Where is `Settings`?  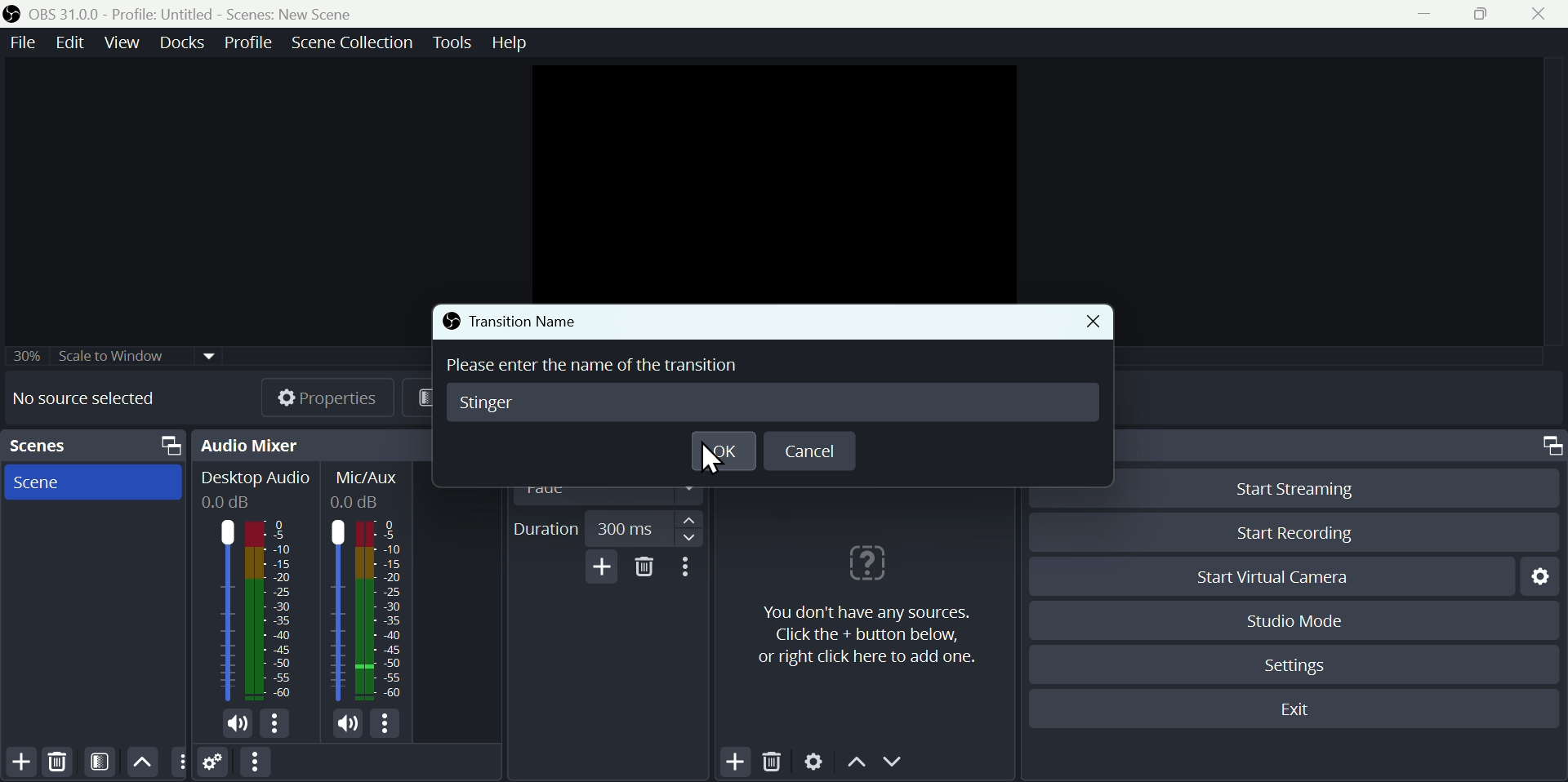 Settings is located at coordinates (813, 763).